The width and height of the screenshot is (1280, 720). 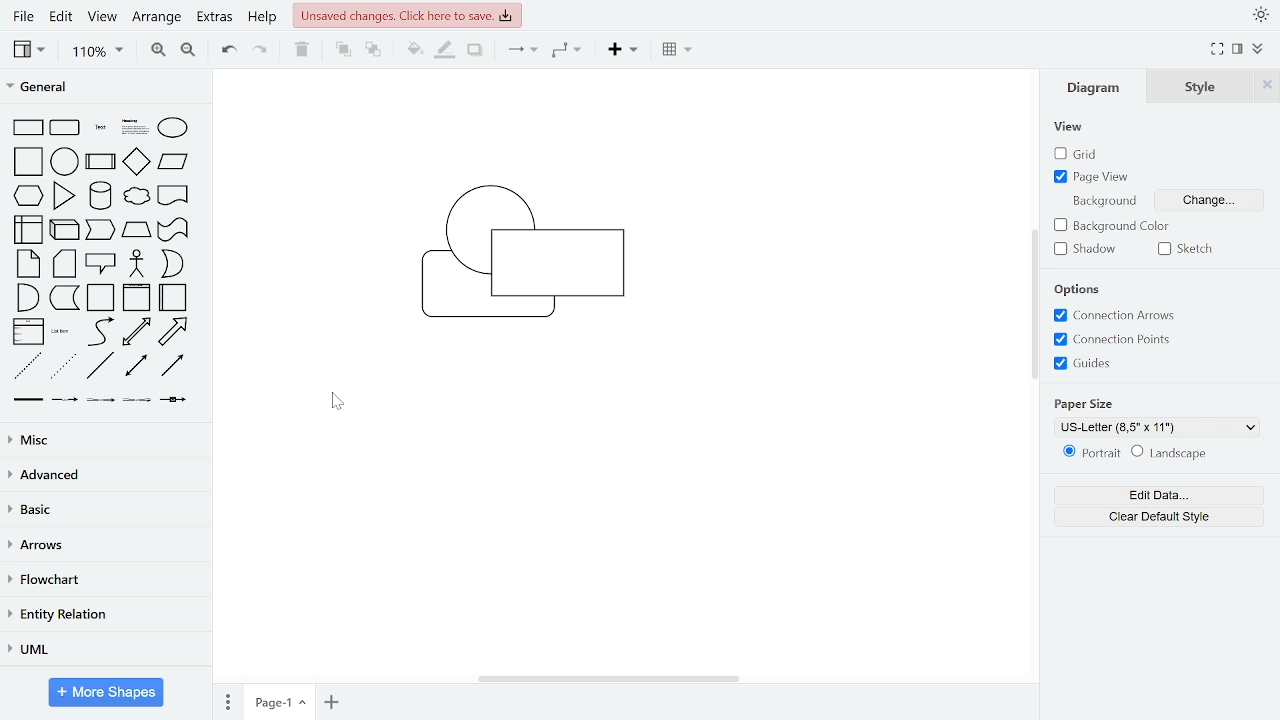 What do you see at coordinates (226, 699) in the screenshot?
I see `pages` at bounding box center [226, 699].